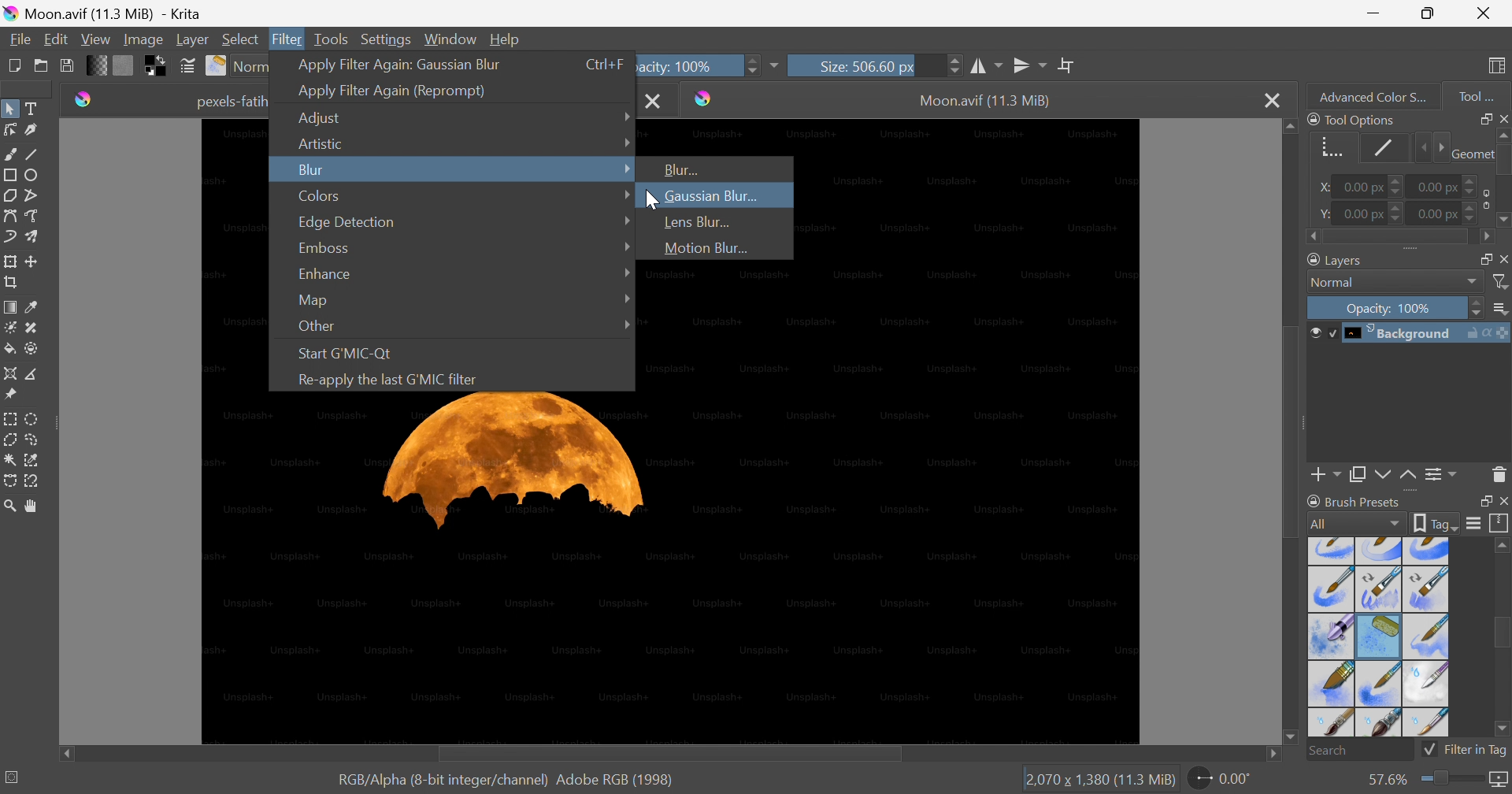 The image size is (1512, 794). What do you see at coordinates (1030, 65) in the screenshot?
I see `Vertical mirror tool` at bounding box center [1030, 65].